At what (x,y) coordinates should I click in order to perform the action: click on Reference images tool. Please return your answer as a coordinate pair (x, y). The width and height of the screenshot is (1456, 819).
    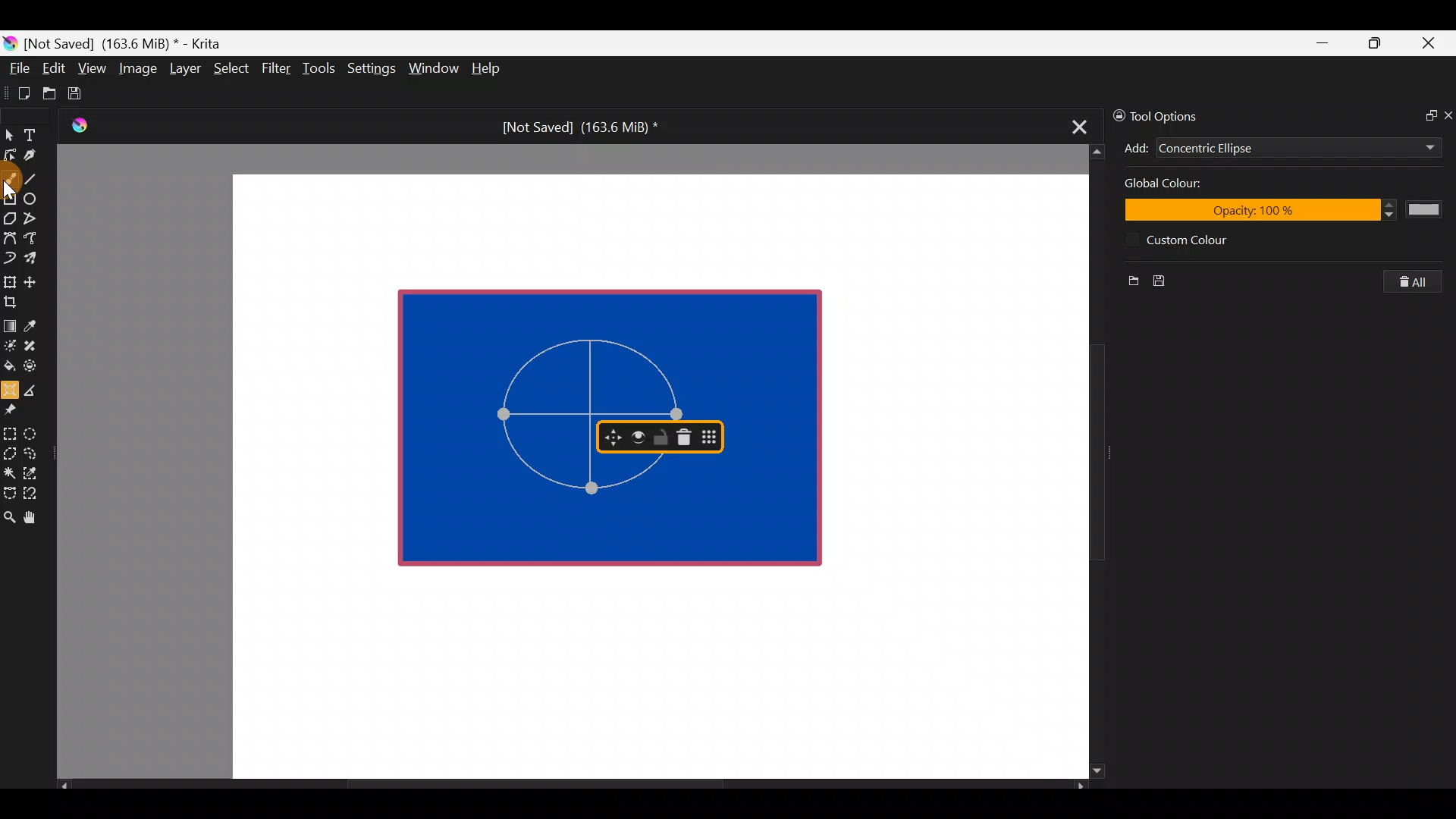
    Looking at the image, I should click on (15, 408).